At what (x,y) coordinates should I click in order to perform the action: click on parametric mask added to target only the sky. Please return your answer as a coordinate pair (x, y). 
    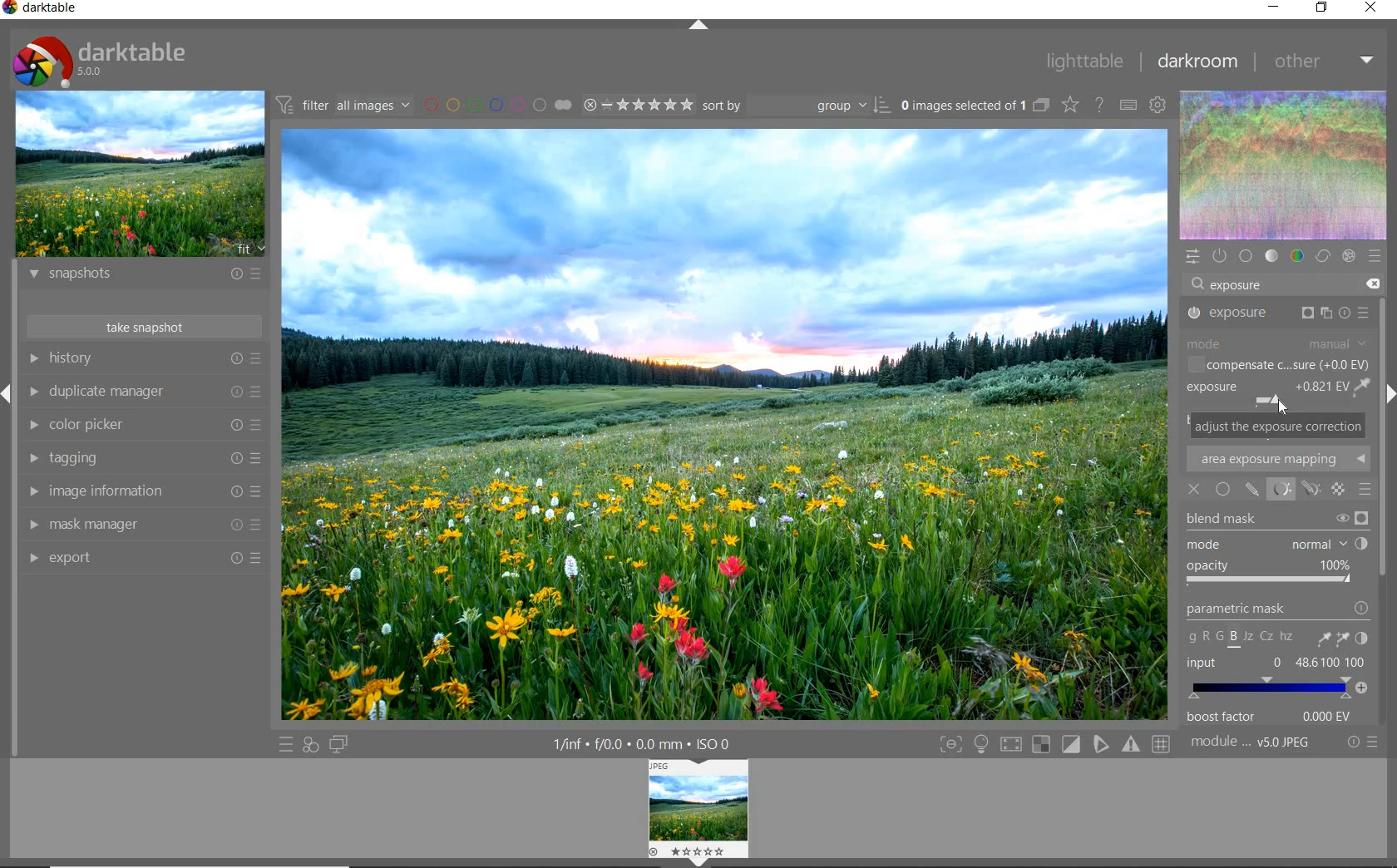
    Looking at the image, I should click on (723, 257).